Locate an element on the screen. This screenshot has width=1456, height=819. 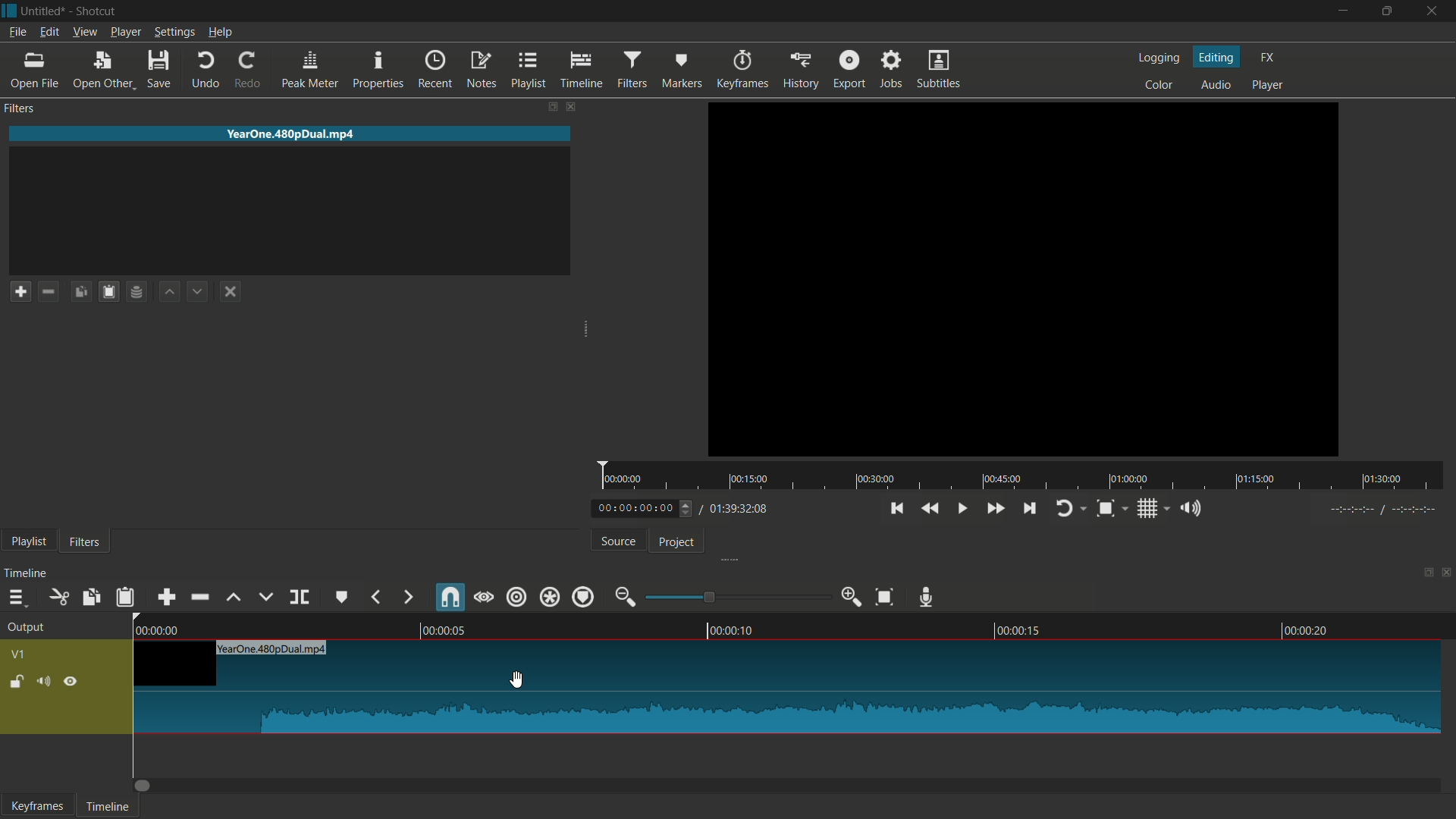
filters is located at coordinates (632, 69).